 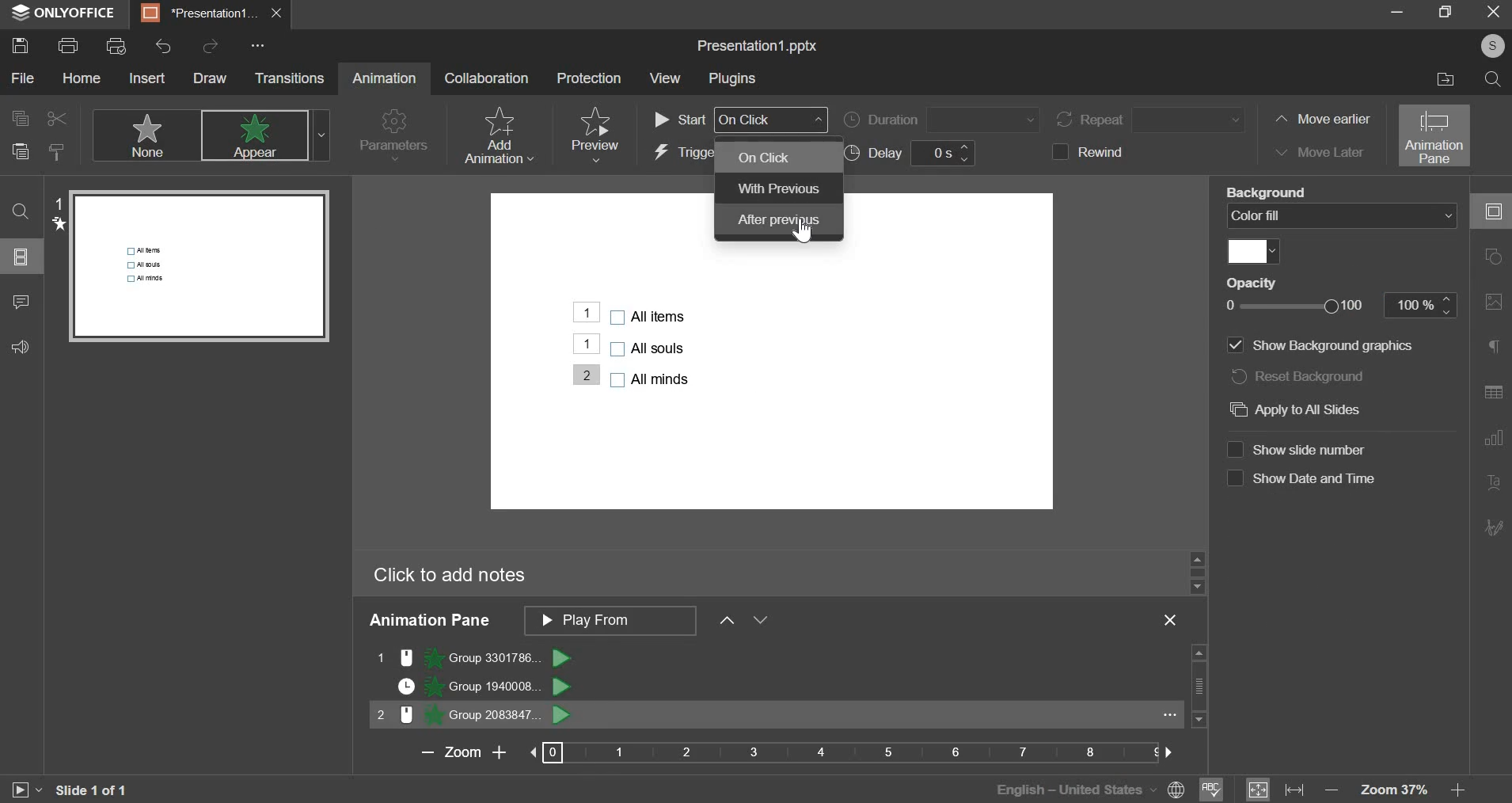 I want to click on collaboration, so click(x=487, y=77).